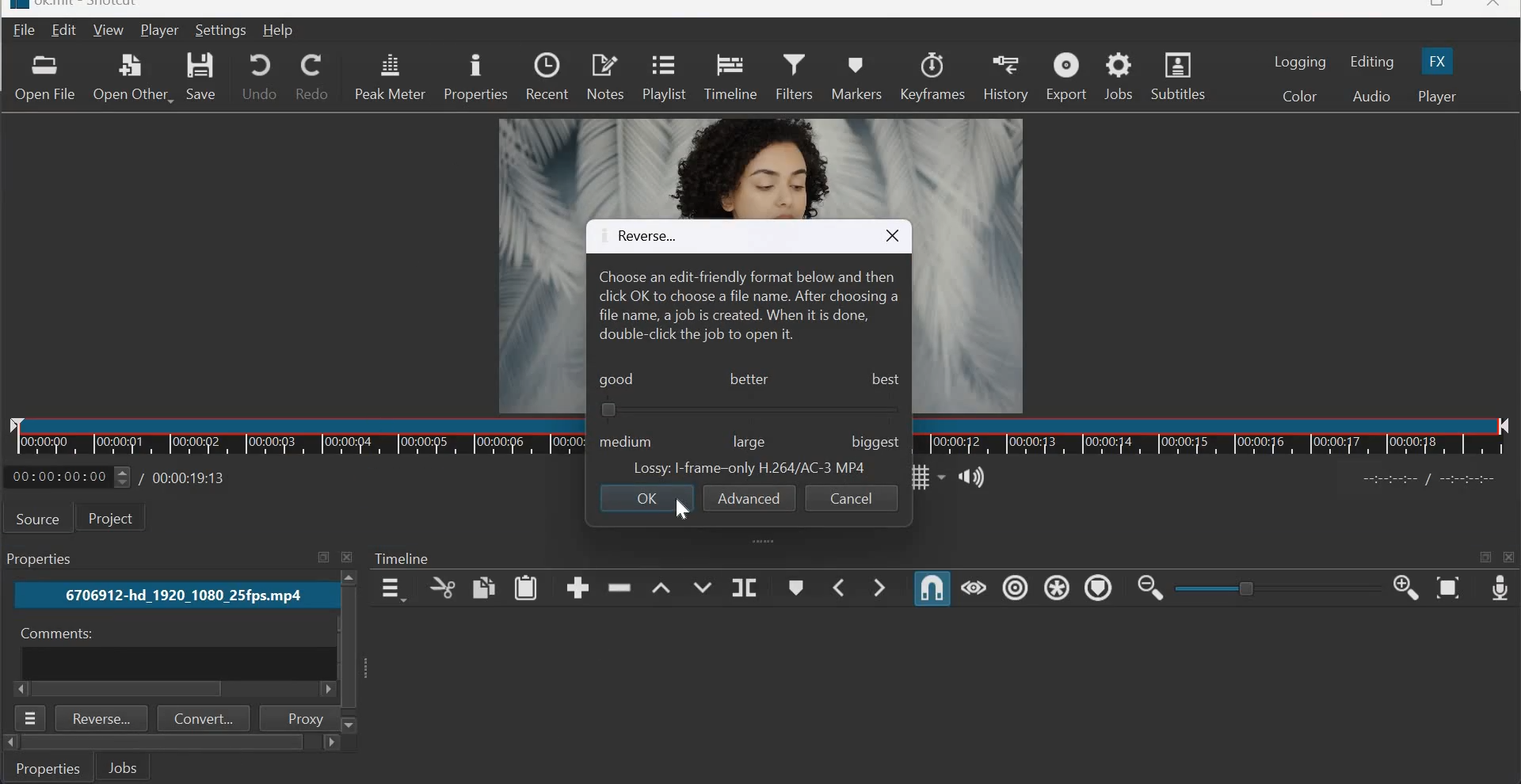  What do you see at coordinates (1437, 97) in the screenshot?
I see `Player` at bounding box center [1437, 97].